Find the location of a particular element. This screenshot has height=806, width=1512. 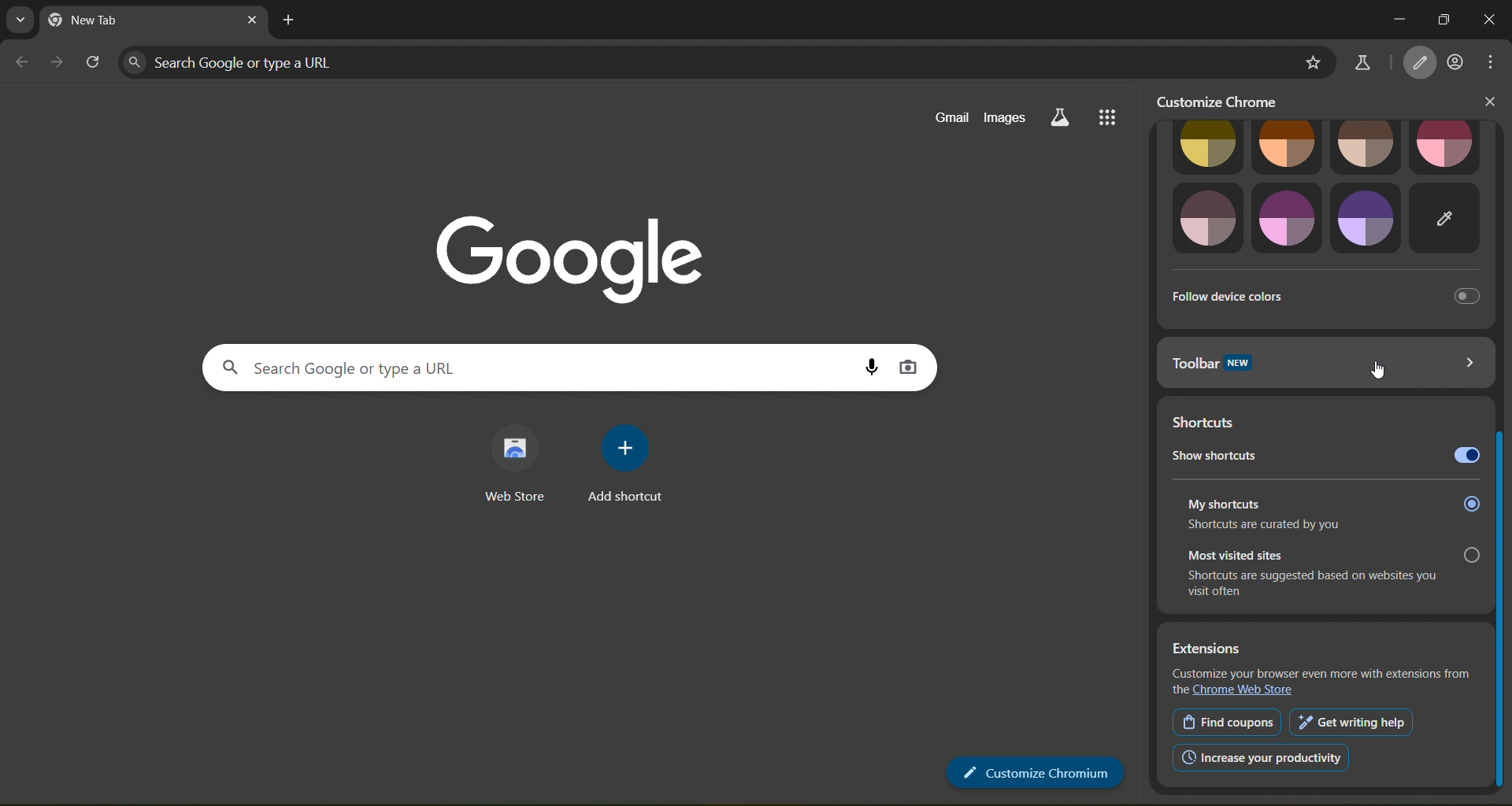

image is located at coordinates (1440, 140).